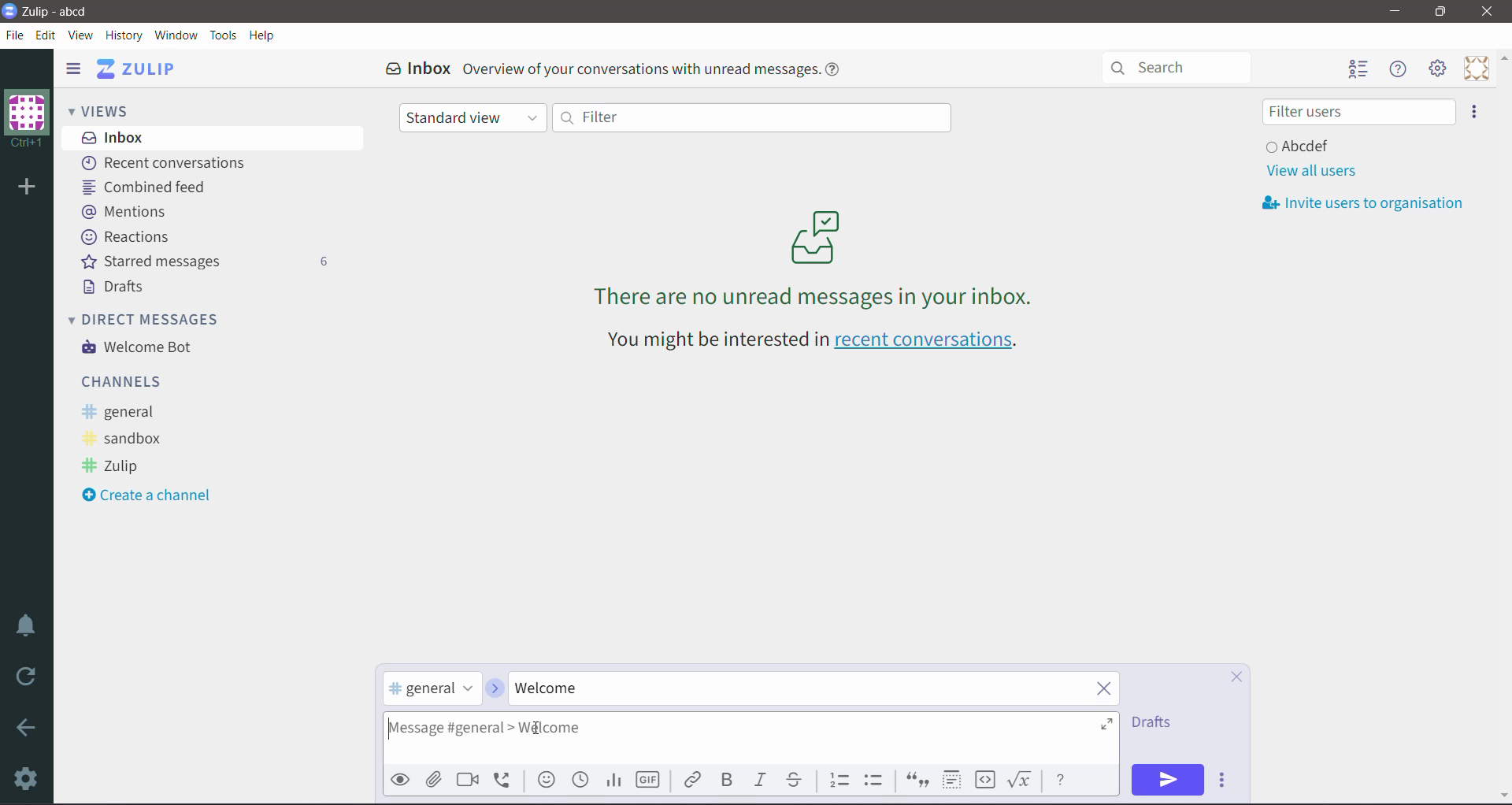 This screenshot has width=1512, height=805. Describe the element at coordinates (141, 69) in the screenshot. I see `Application` at that location.